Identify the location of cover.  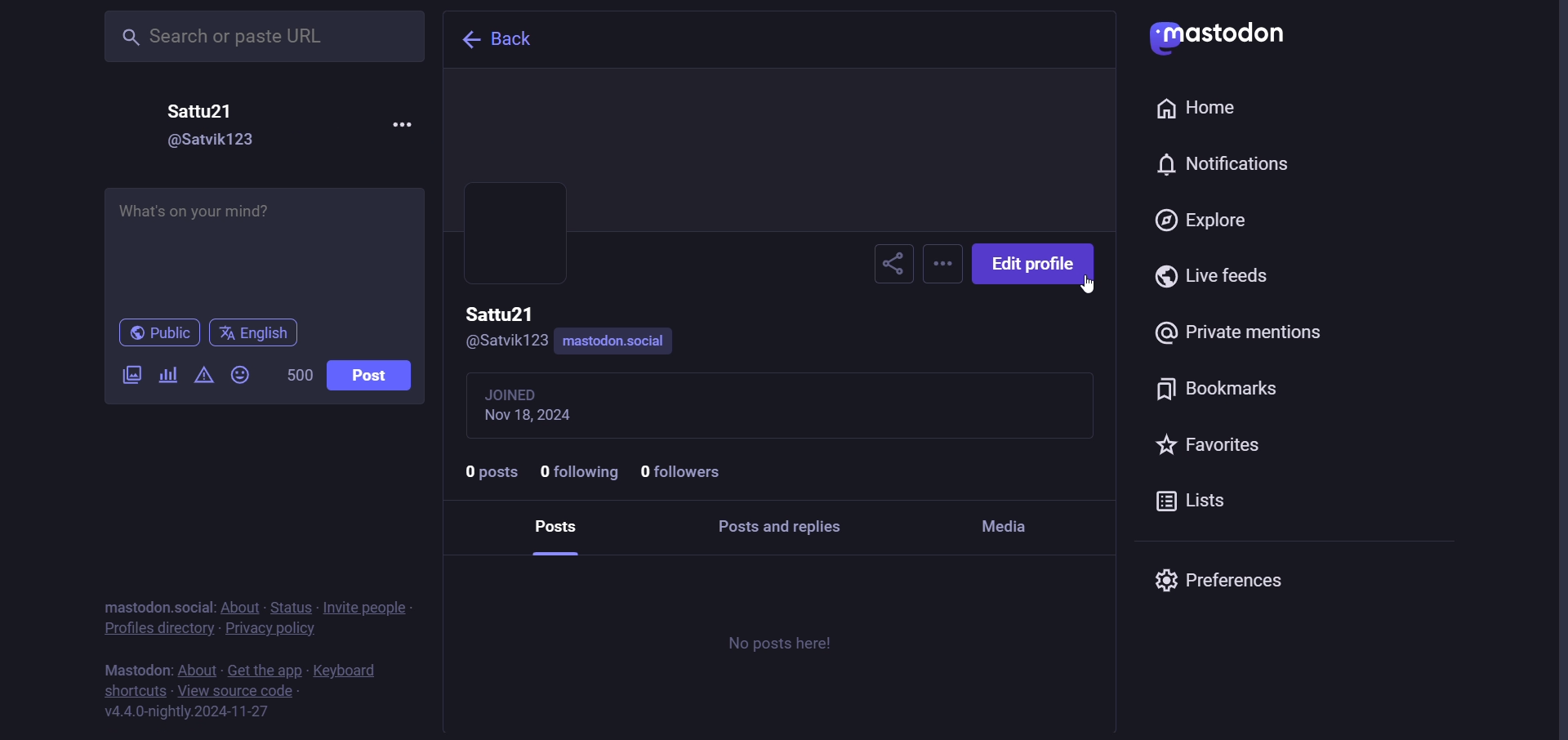
(781, 149).